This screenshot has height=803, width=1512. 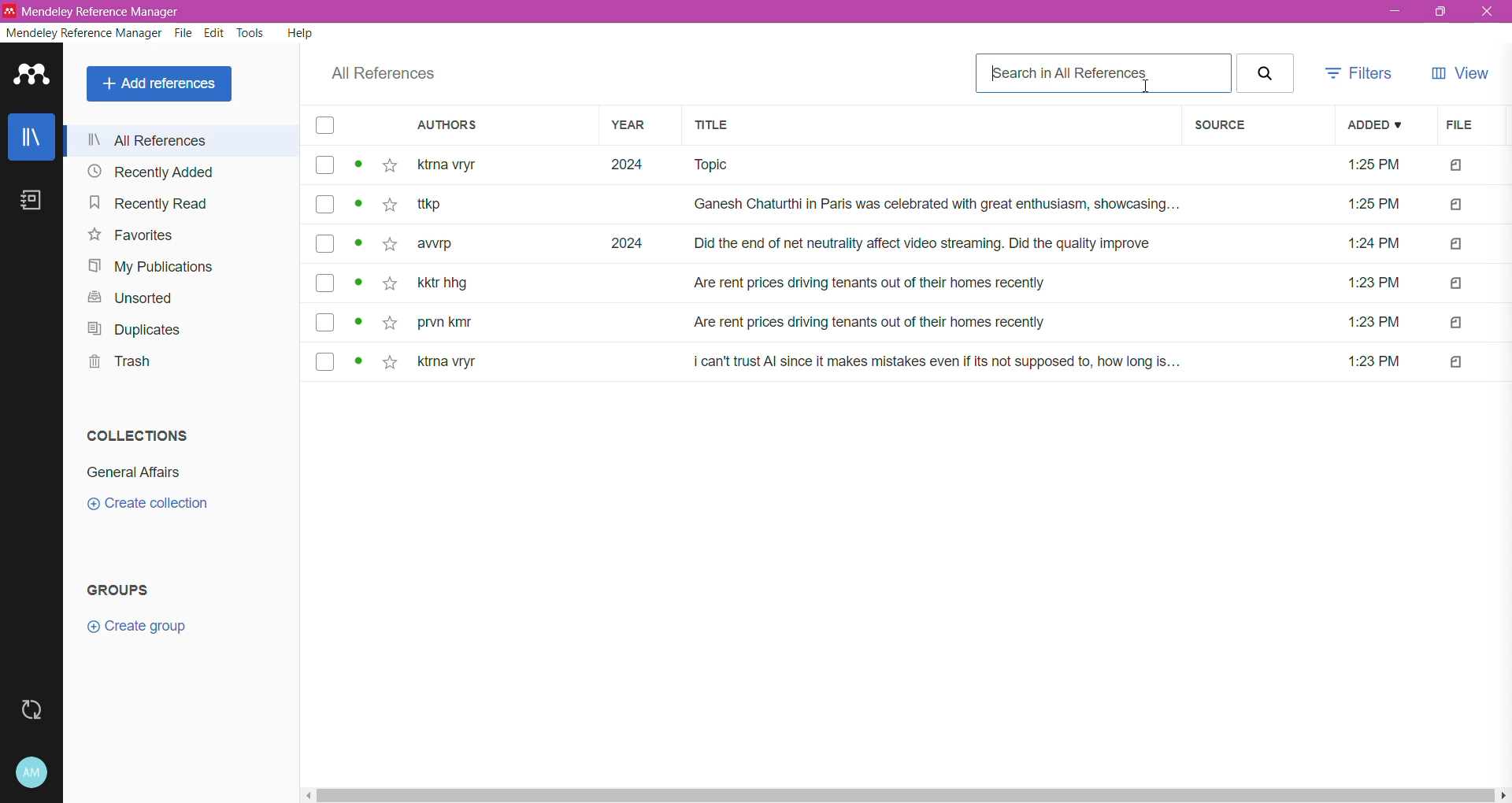 I want to click on select file, so click(x=322, y=206).